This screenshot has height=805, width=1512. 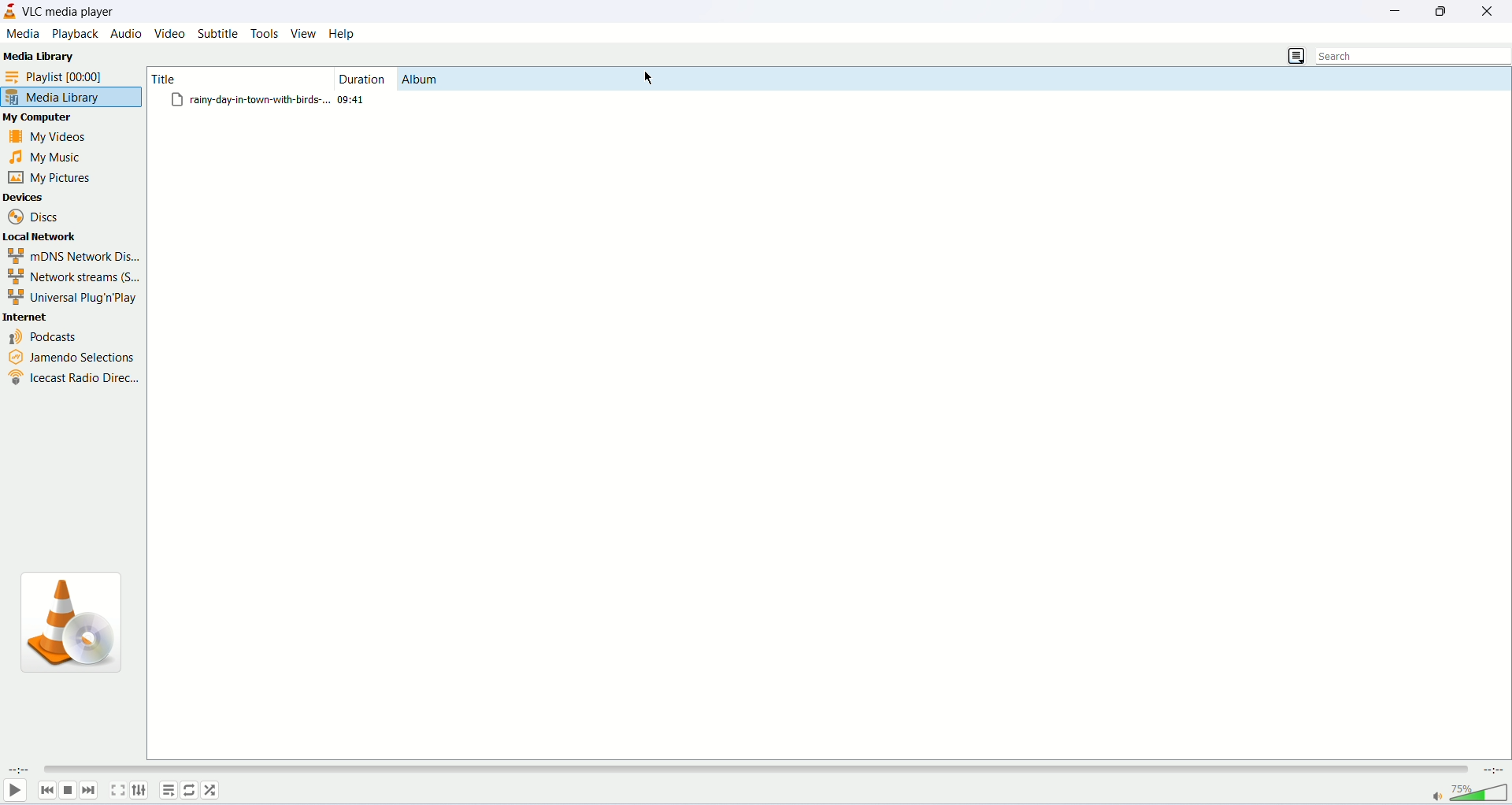 I want to click on progress bar, so click(x=757, y=769).